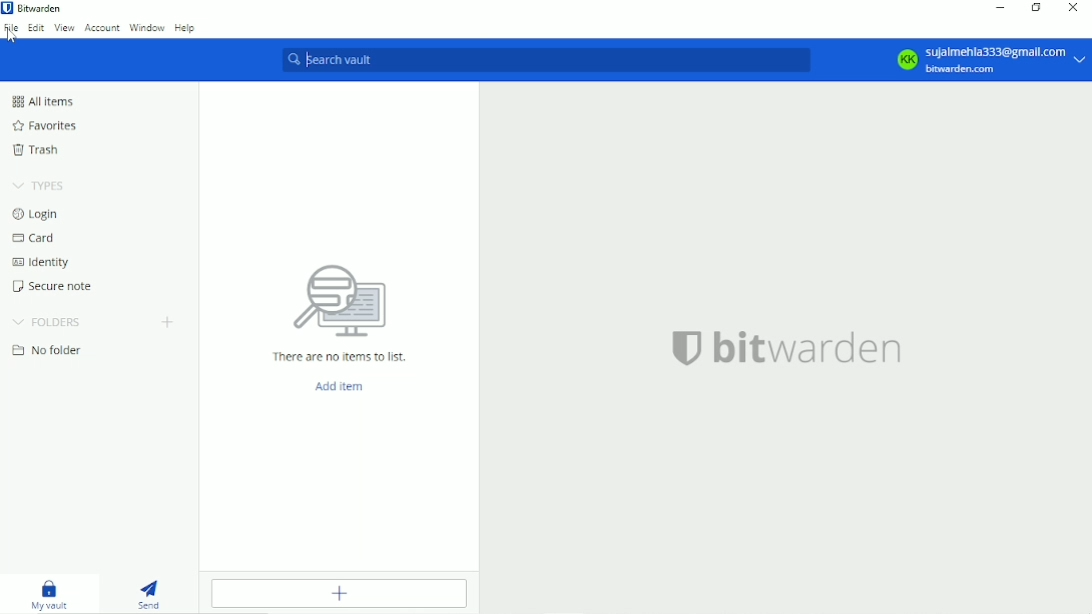 Image resolution: width=1092 pixels, height=614 pixels. Describe the element at coordinates (10, 28) in the screenshot. I see `File` at that location.